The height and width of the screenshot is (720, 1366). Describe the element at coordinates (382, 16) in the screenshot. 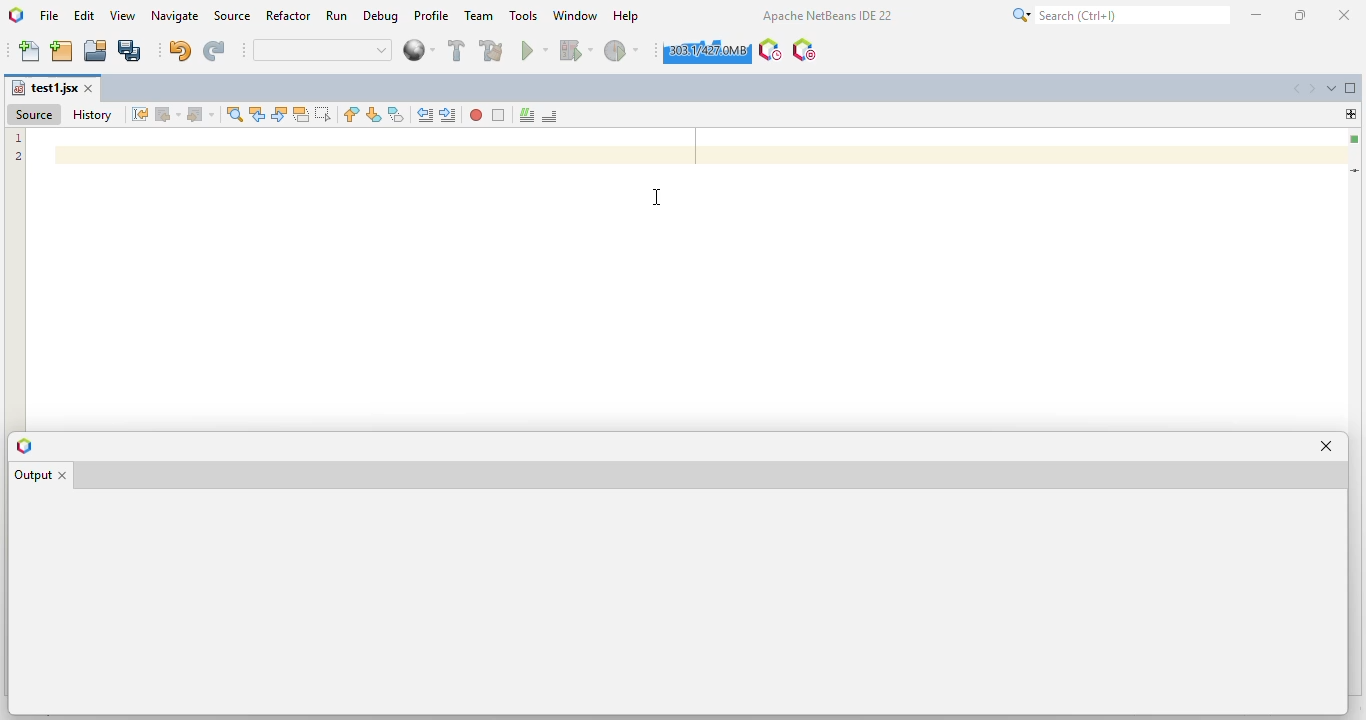

I see `debug` at that location.